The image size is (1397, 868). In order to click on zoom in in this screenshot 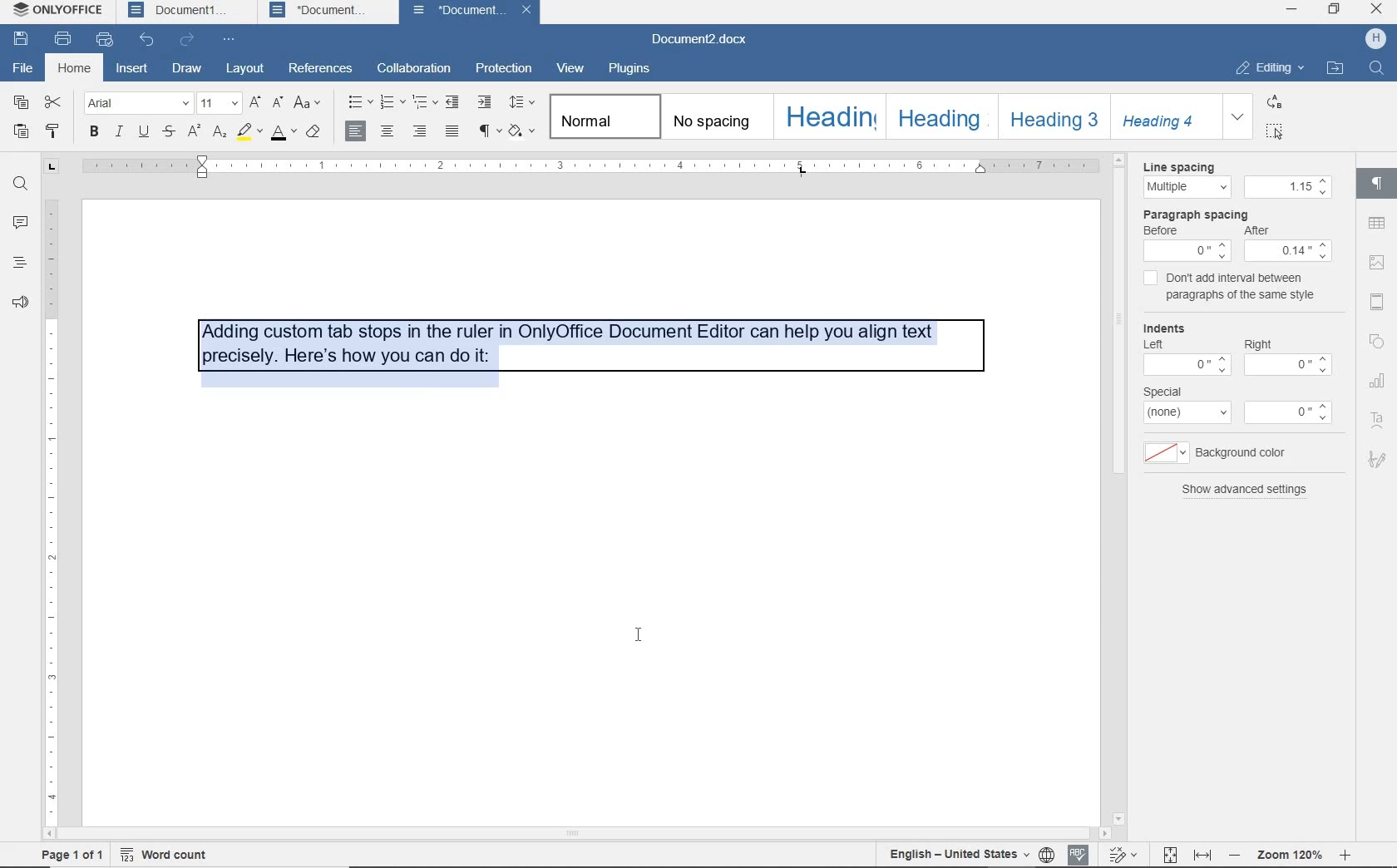, I will do `click(1348, 855)`.